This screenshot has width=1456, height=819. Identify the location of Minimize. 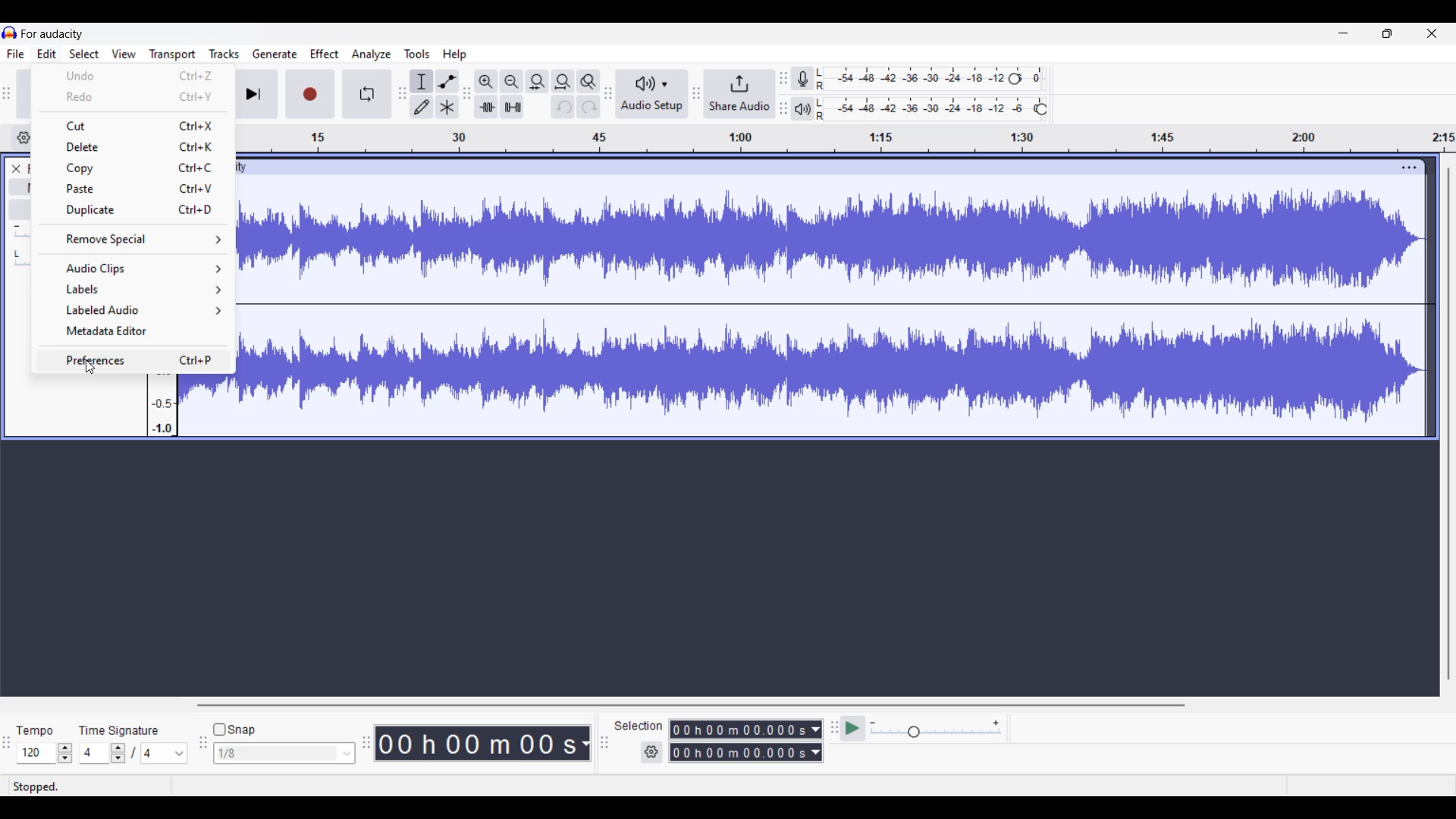
(1344, 33).